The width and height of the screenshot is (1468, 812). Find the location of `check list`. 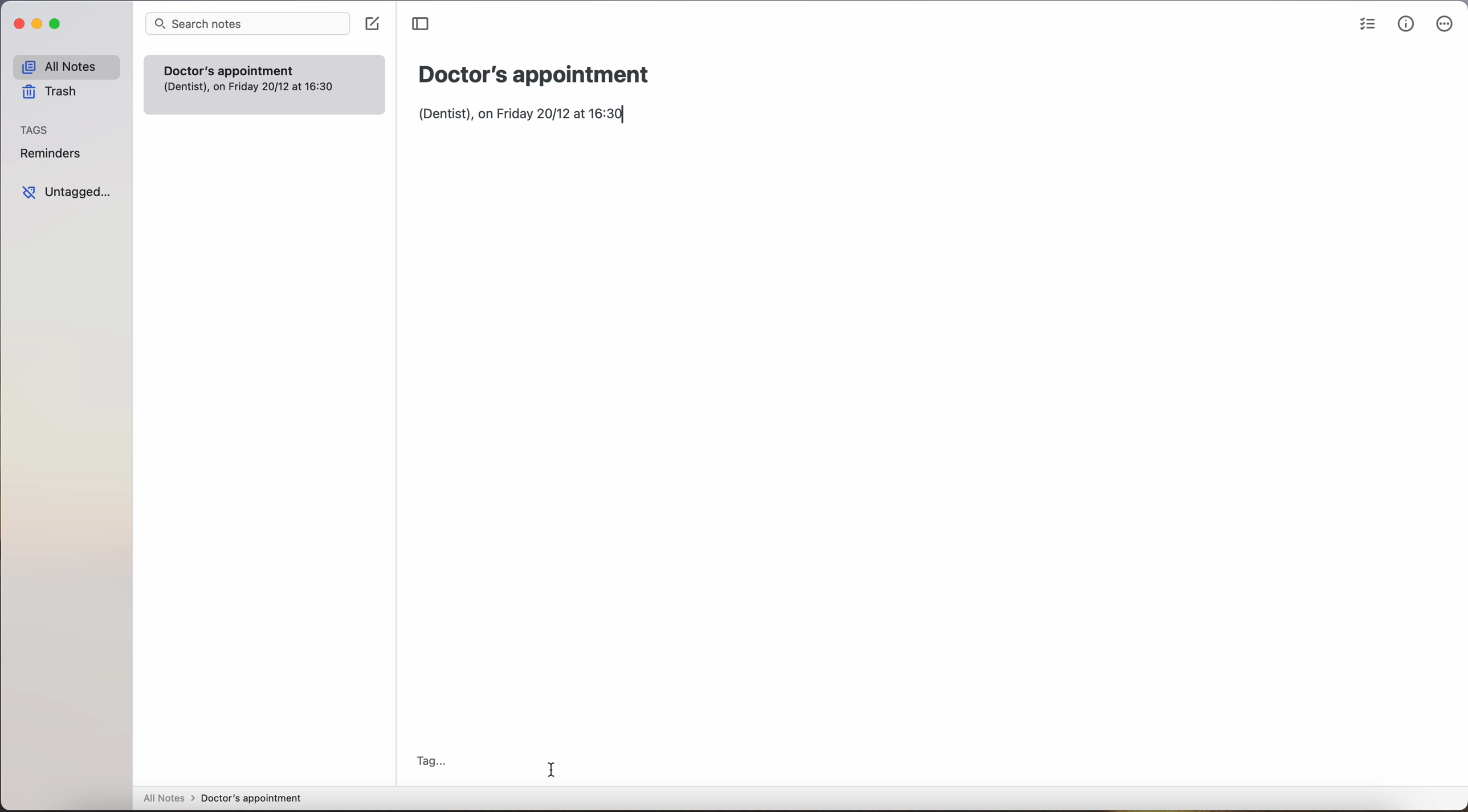

check list is located at coordinates (1364, 25).